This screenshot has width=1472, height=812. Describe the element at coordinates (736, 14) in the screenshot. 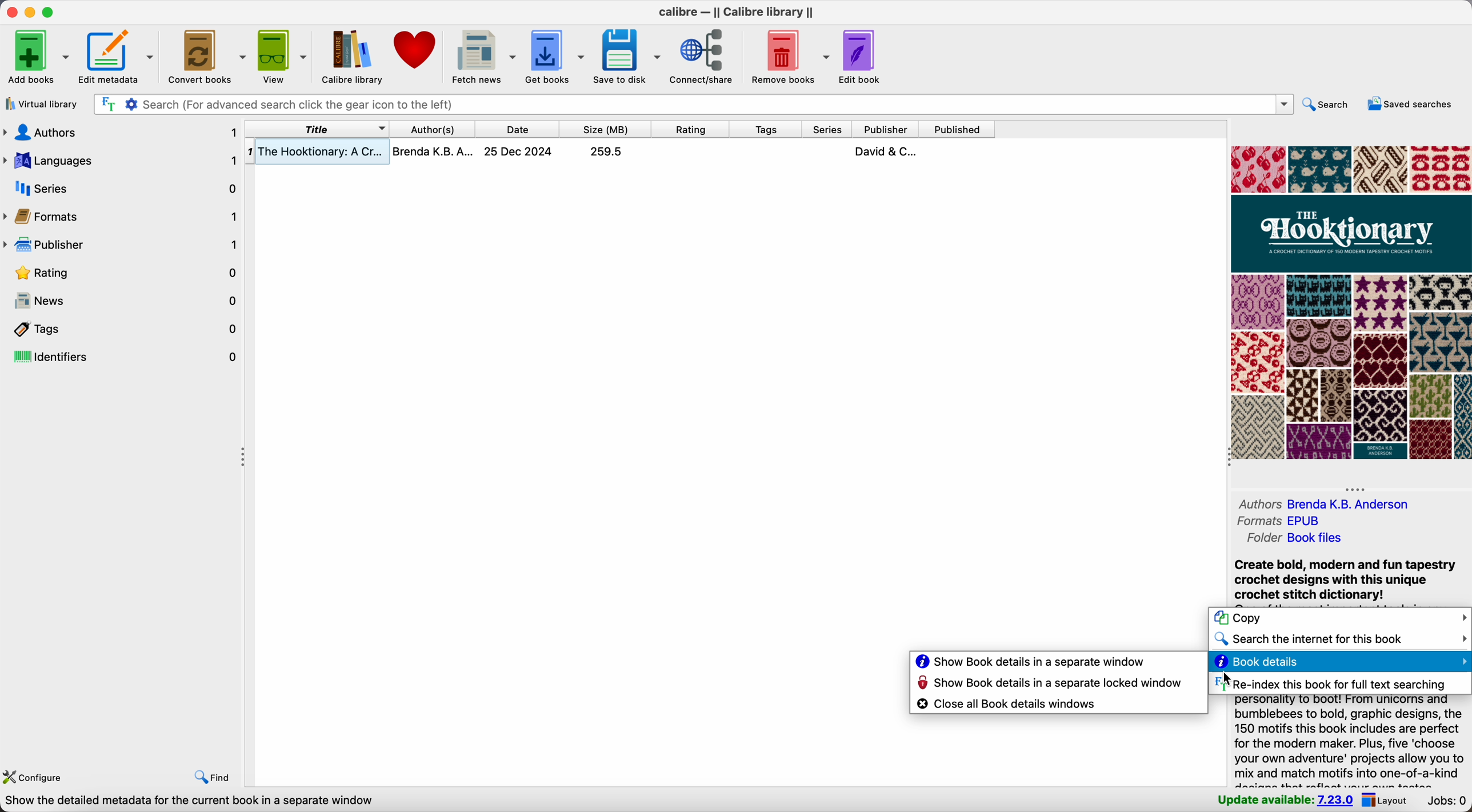

I see `Calibre` at that location.